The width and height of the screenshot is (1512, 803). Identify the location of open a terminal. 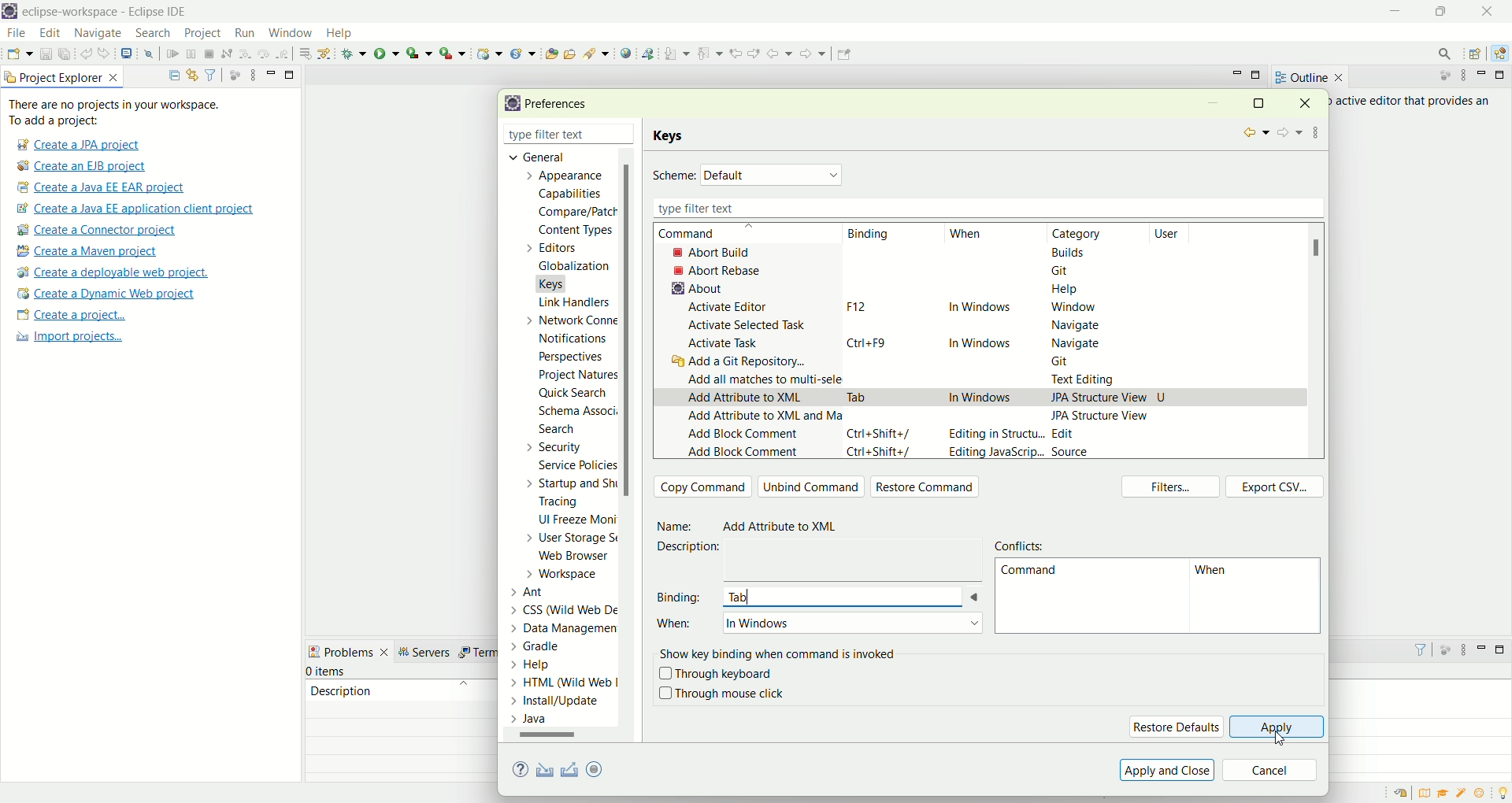
(125, 54).